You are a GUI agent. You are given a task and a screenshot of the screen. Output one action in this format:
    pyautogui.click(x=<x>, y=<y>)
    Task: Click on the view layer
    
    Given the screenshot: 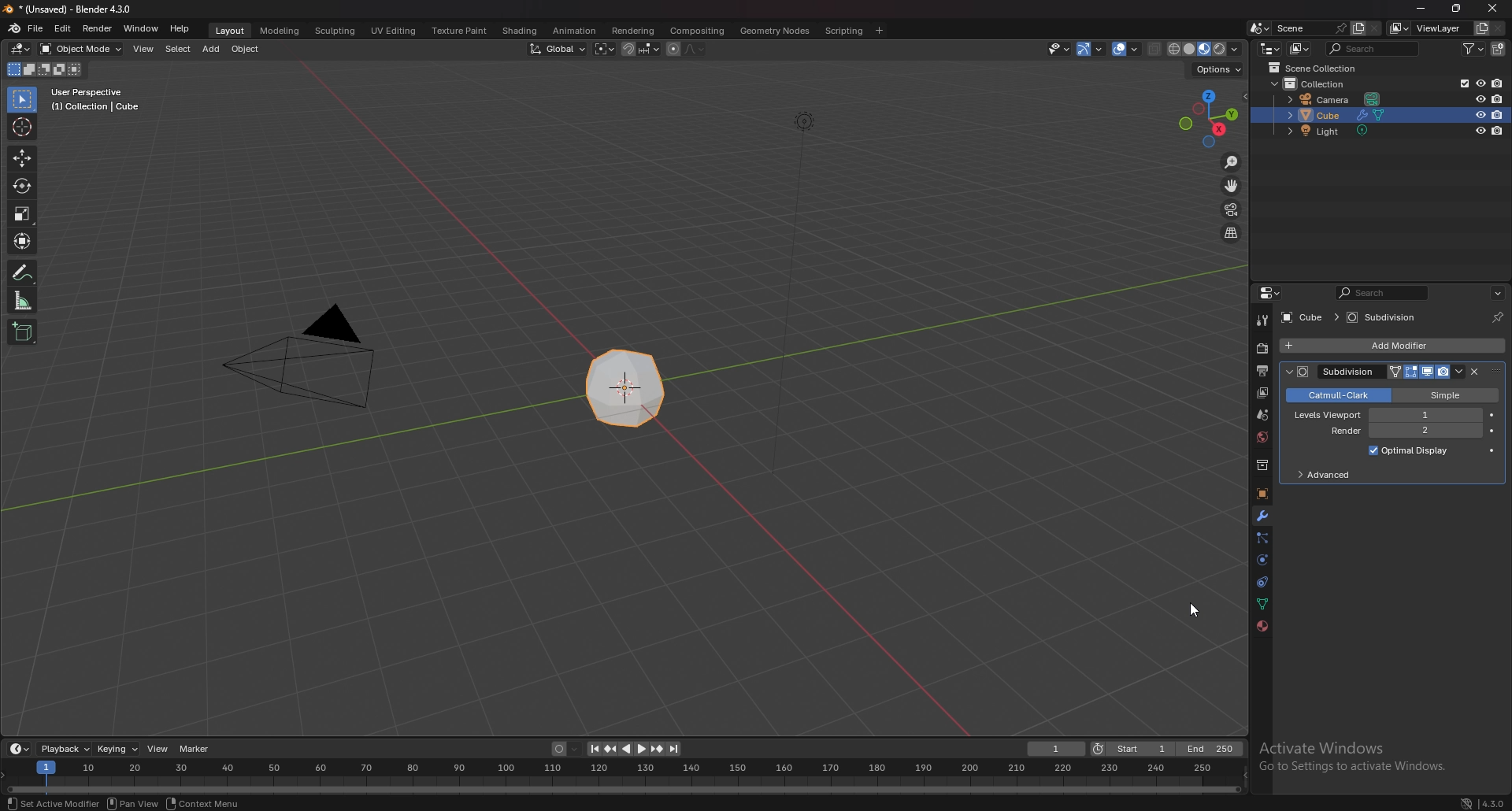 What is the action you would take?
    pyautogui.click(x=1428, y=28)
    